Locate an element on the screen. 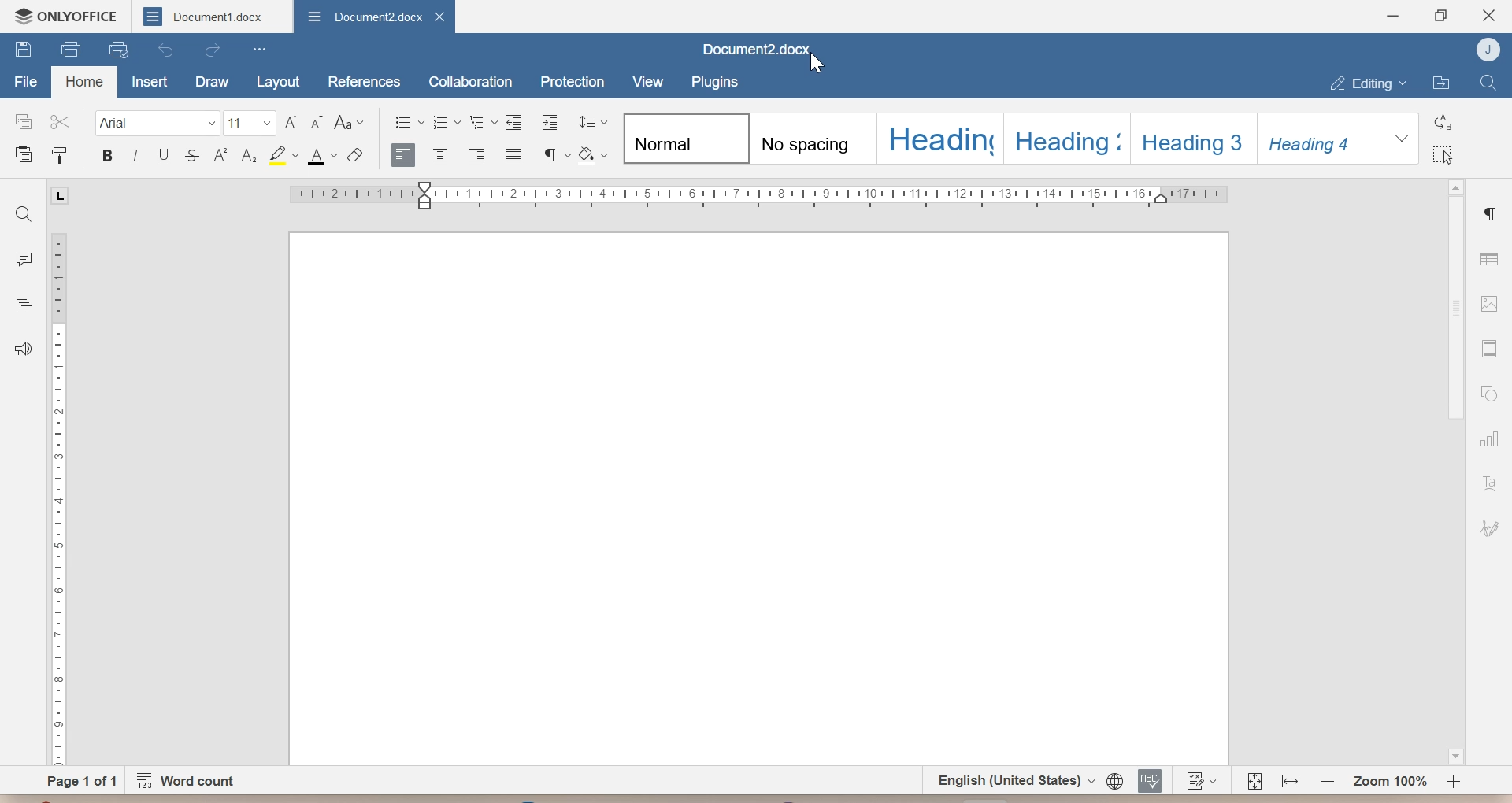 This screenshot has height=803, width=1512. Normal is located at coordinates (687, 137).